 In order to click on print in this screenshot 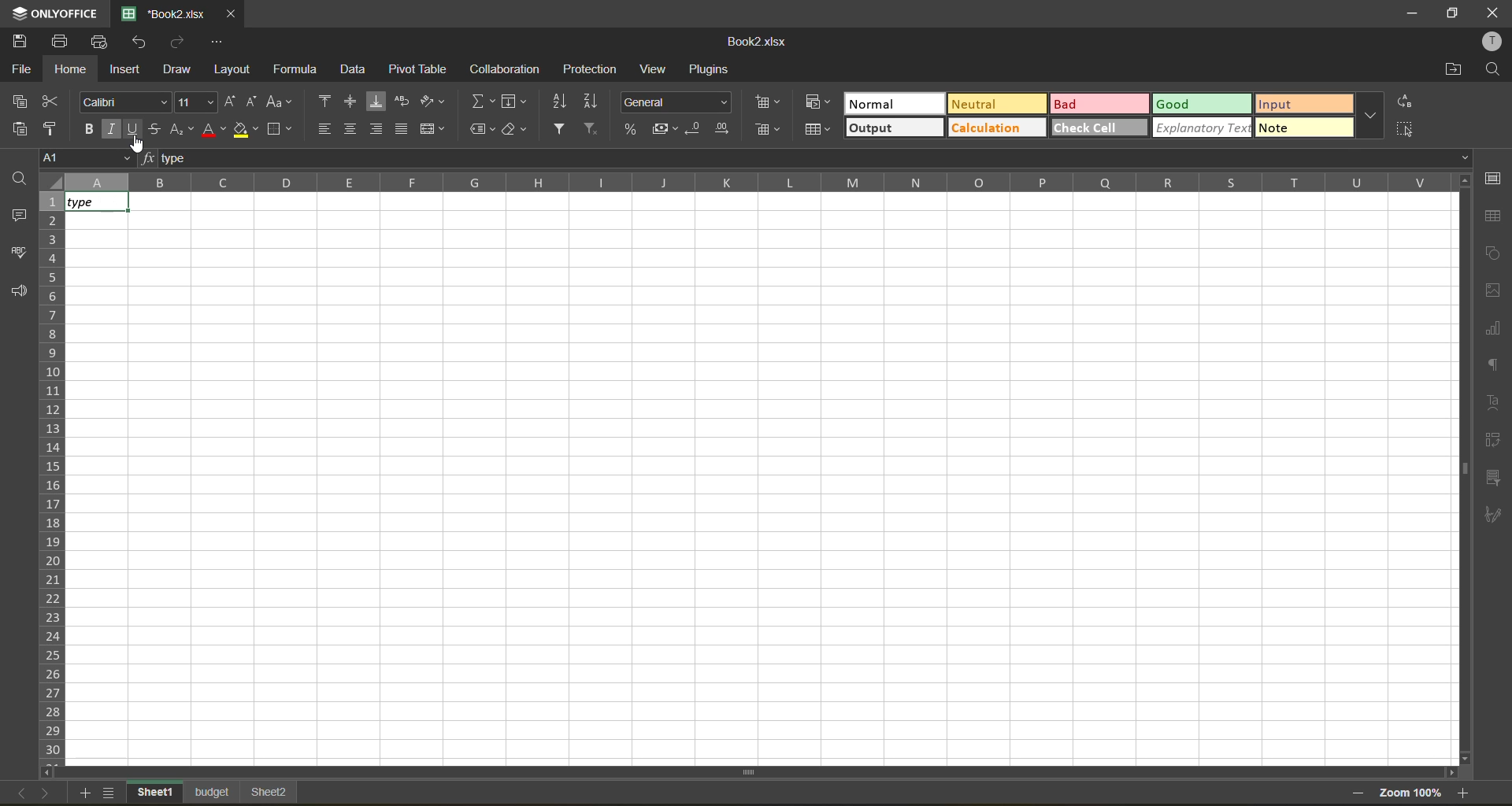, I will do `click(61, 41)`.